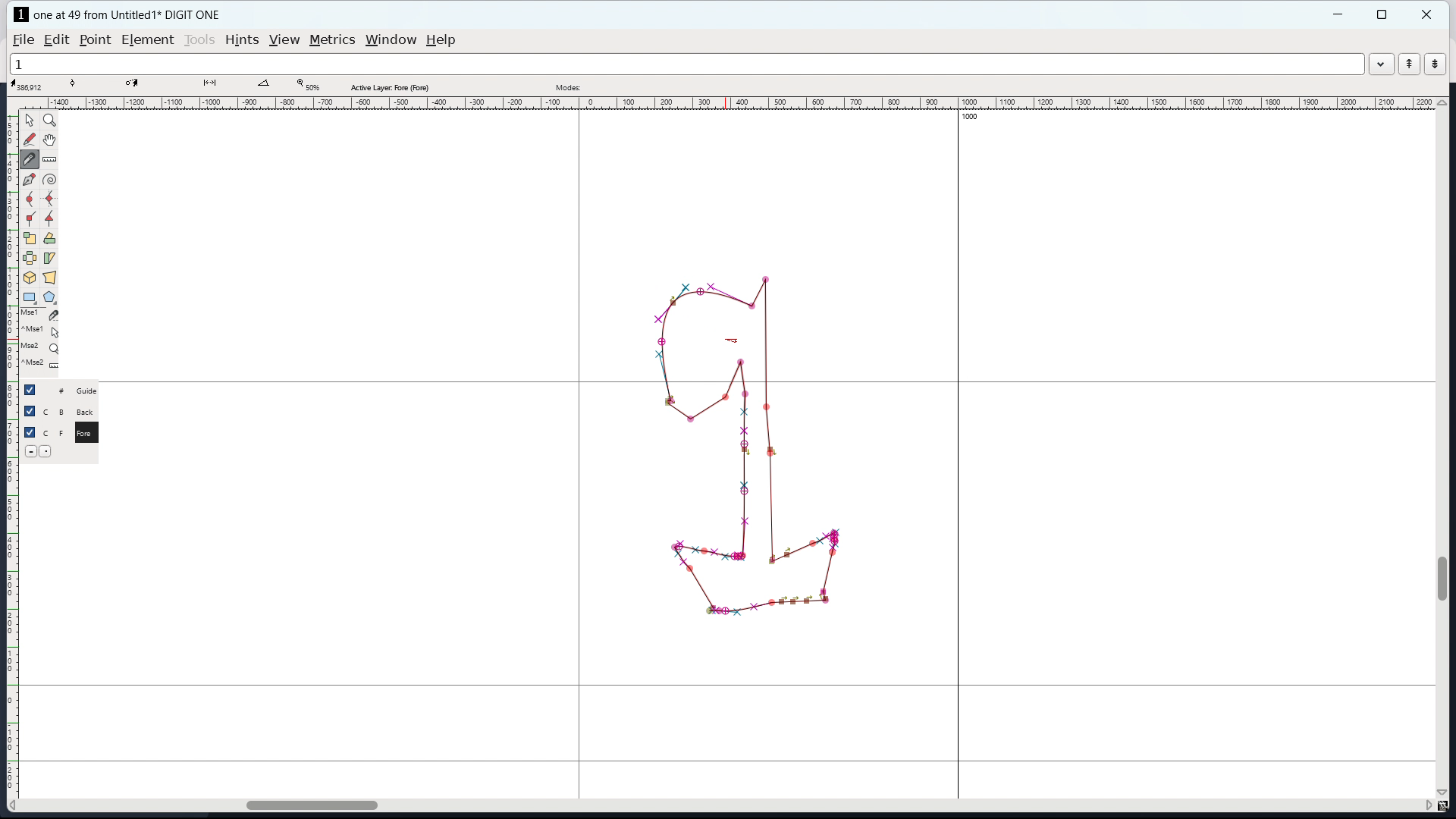  I want to click on is layer visible, so click(30, 432).